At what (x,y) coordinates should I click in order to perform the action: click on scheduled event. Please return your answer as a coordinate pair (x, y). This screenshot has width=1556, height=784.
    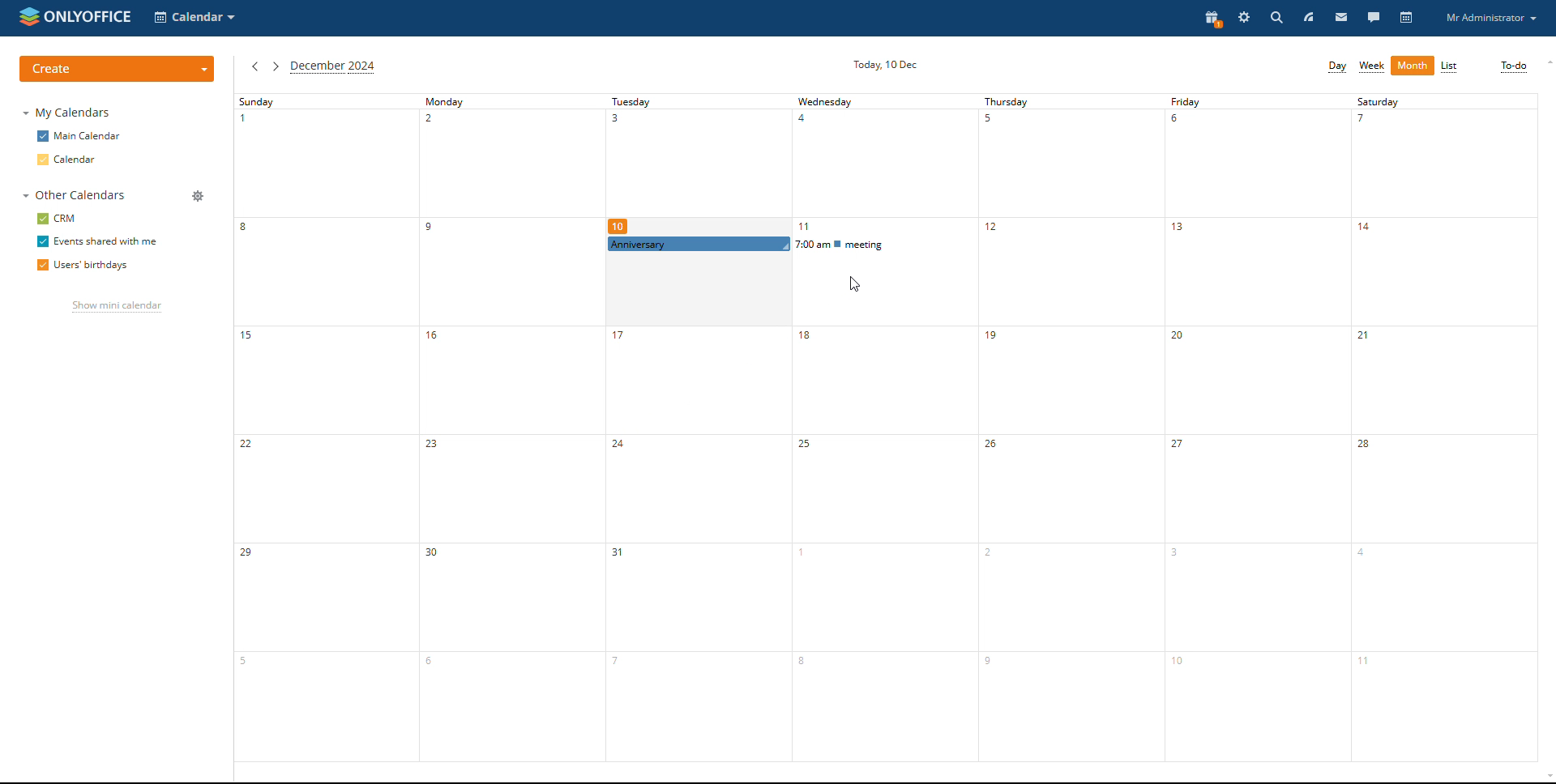
    Looking at the image, I should click on (794, 245).